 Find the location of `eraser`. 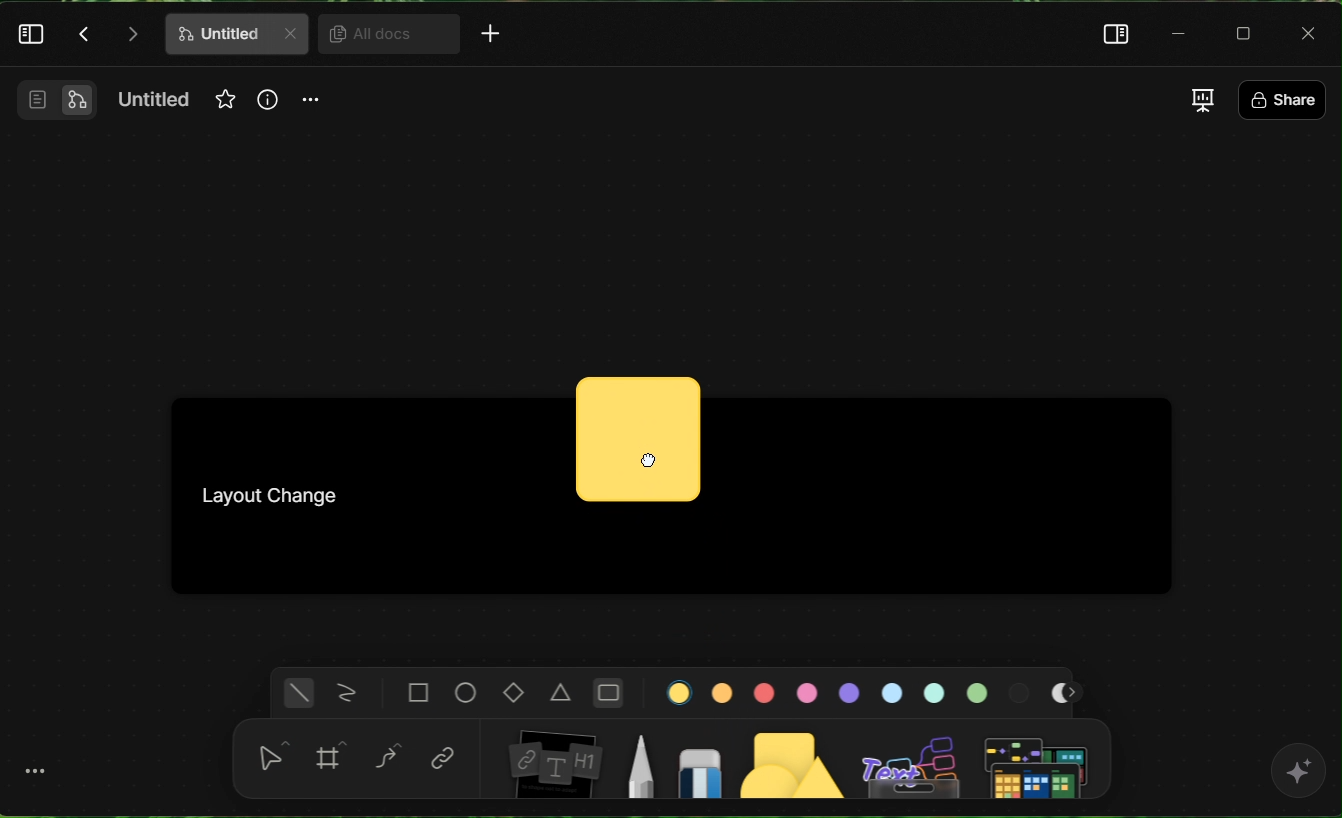

eraser is located at coordinates (699, 761).